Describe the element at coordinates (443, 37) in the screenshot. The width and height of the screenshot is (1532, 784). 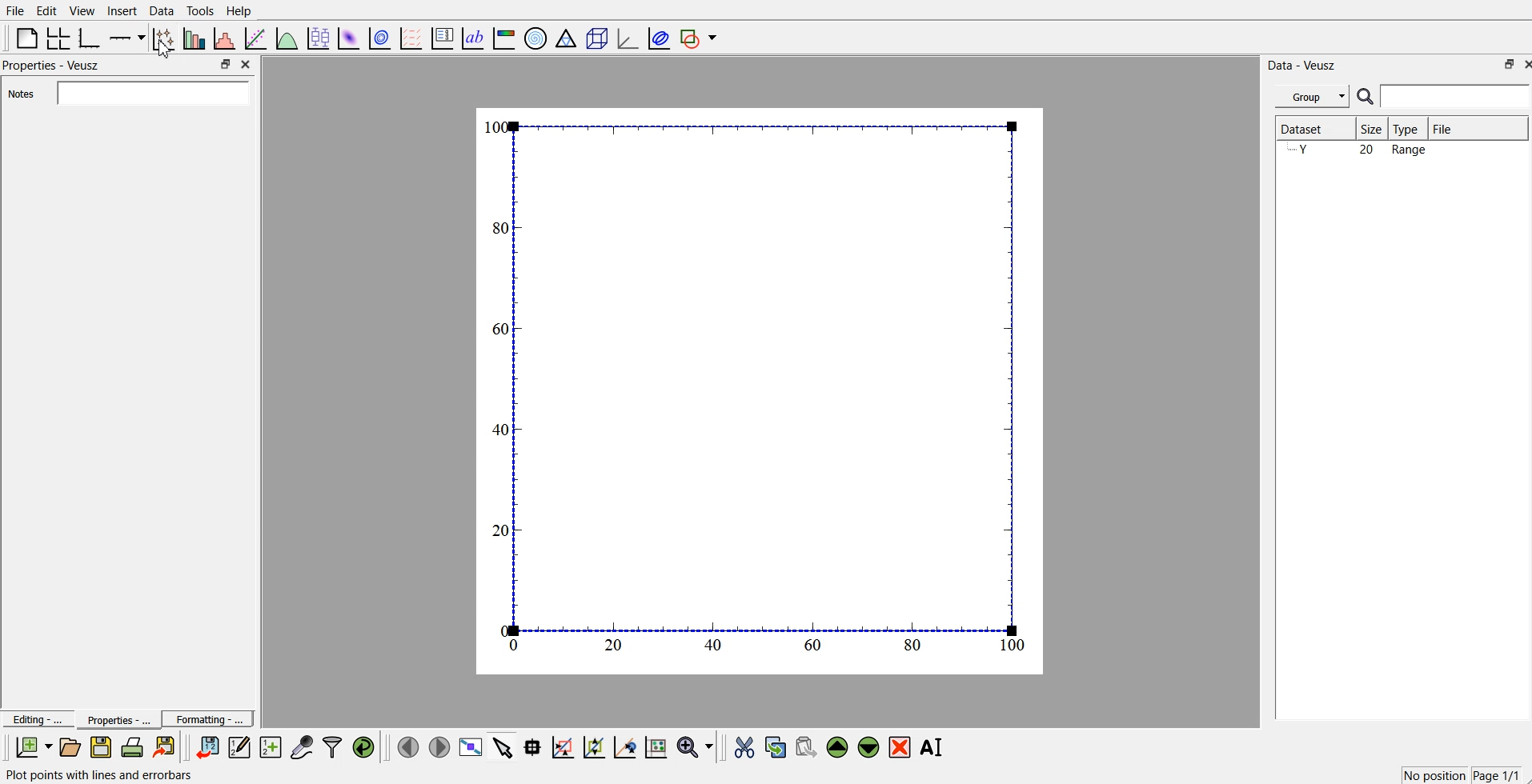
I see `plot key` at that location.